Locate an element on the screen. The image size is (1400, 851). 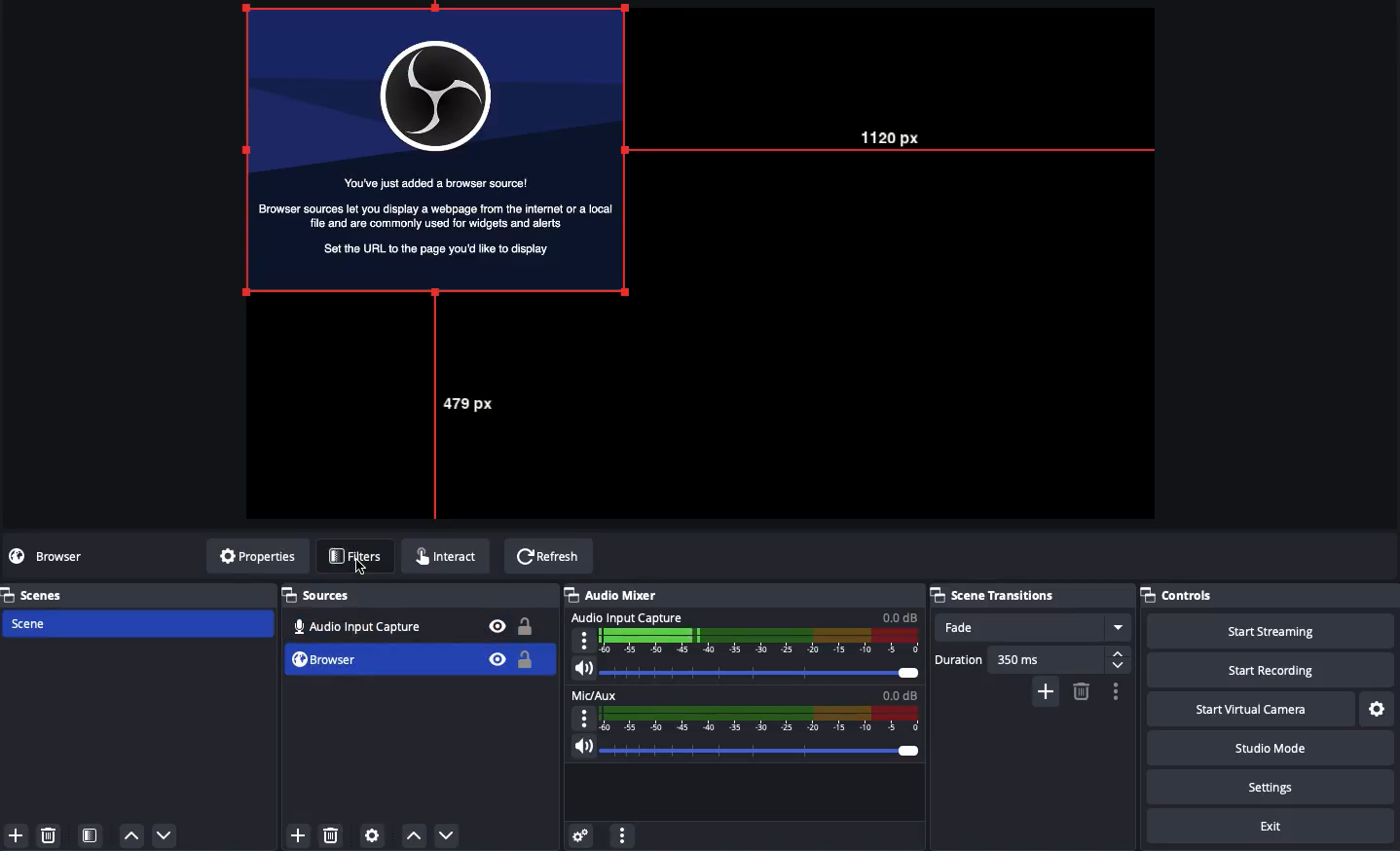
Scene filter is located at coordinates (92, 835).